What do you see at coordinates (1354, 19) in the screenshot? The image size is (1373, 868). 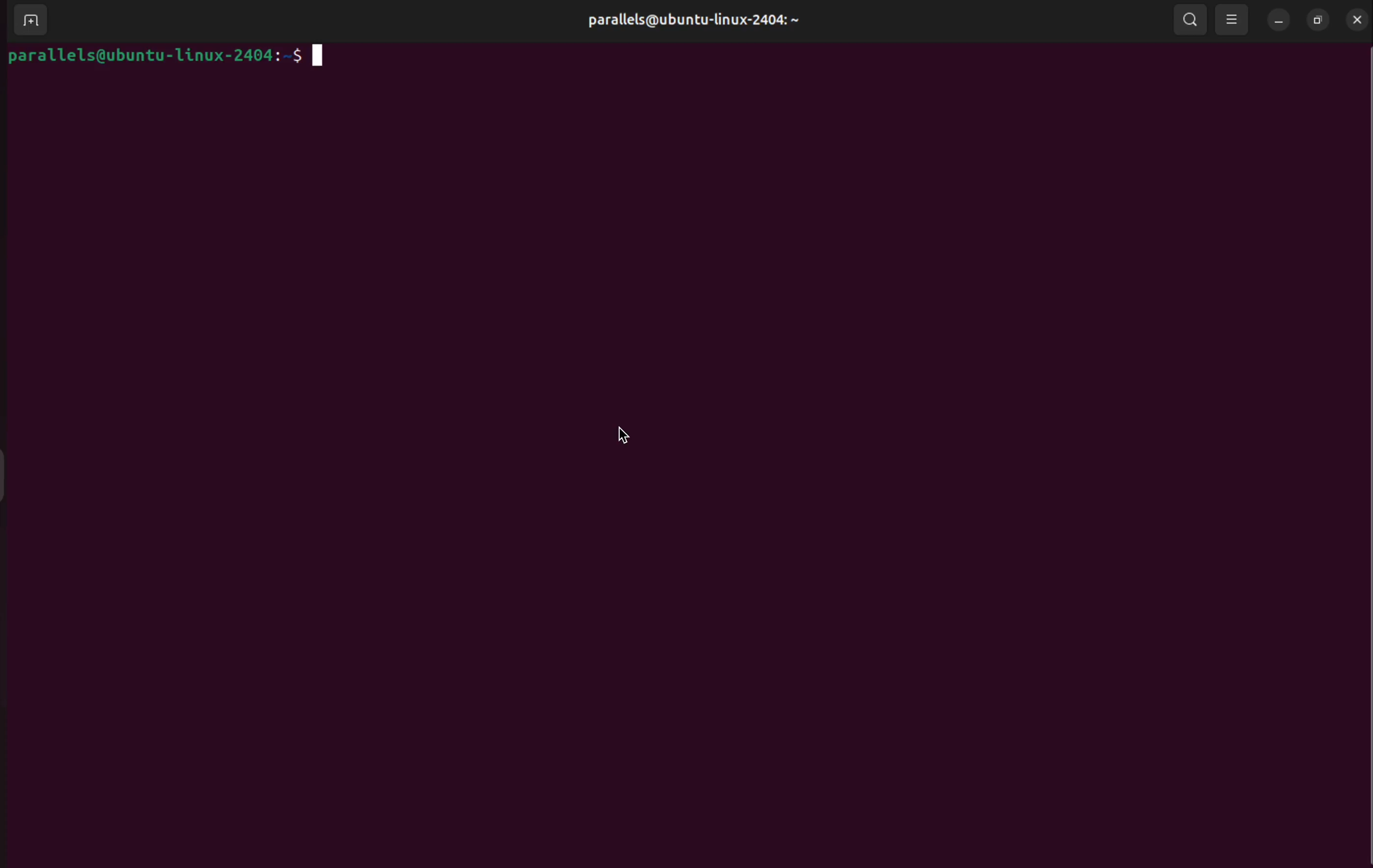 I see `close` at bounding box center [1354, 19].